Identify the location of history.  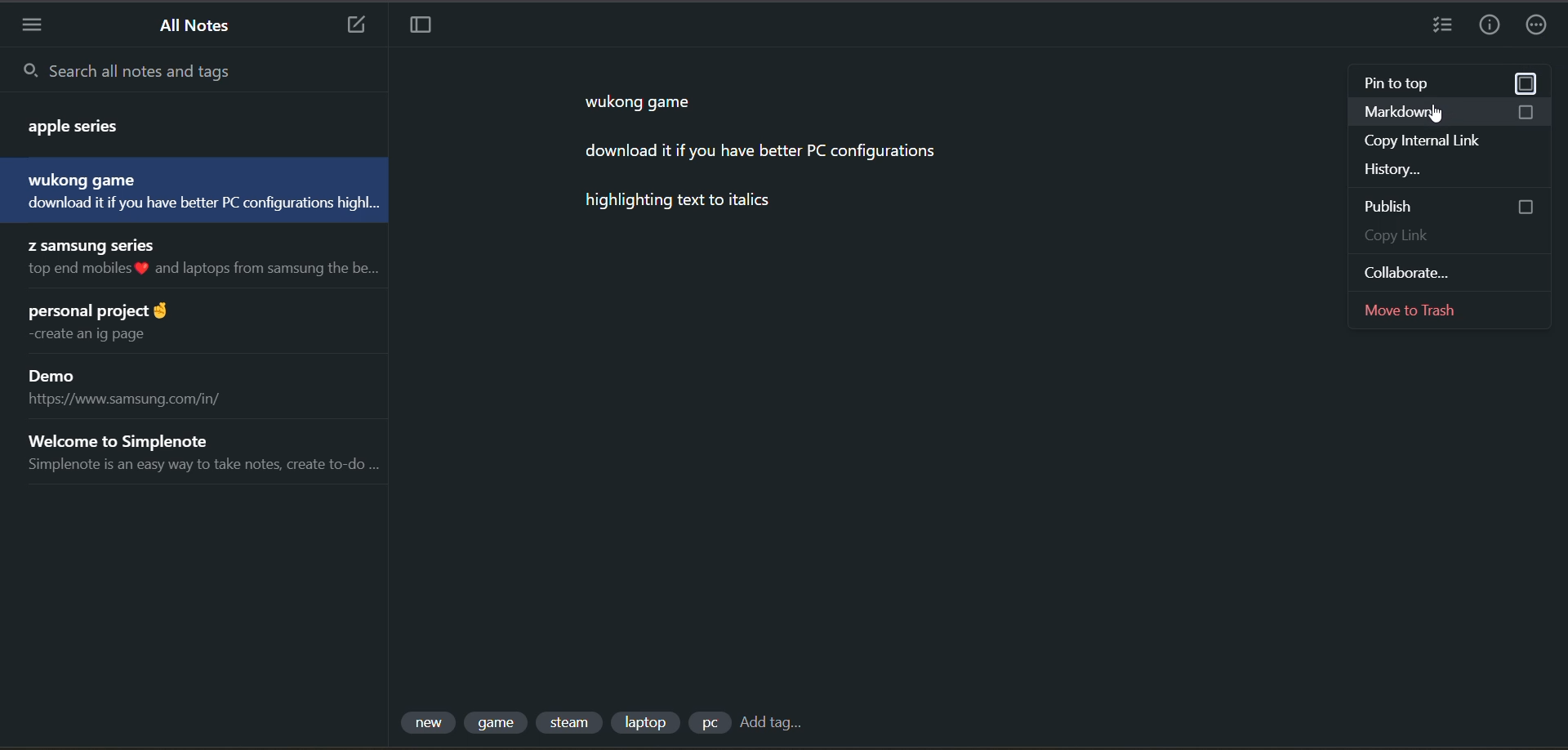
(1444, 168).